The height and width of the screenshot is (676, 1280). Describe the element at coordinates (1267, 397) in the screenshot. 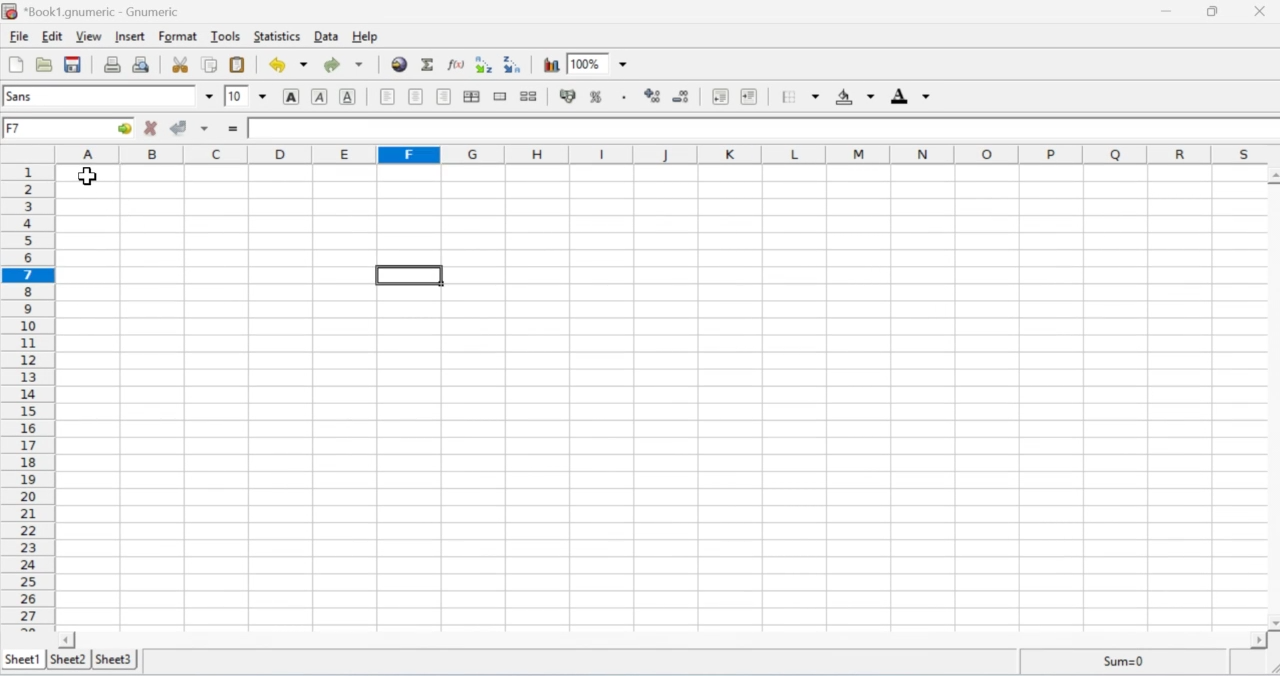

I see `Scroll bar` at that location.